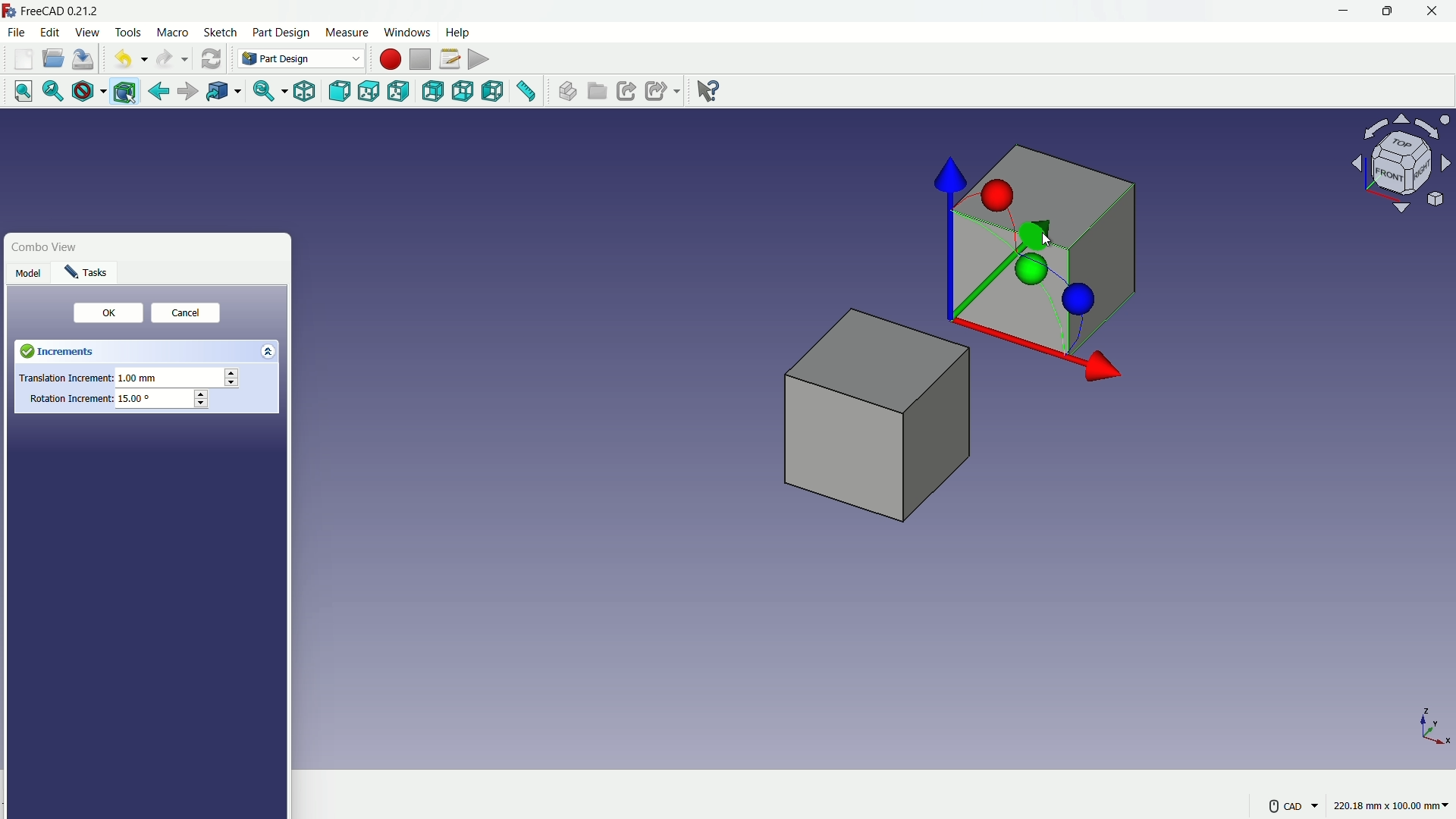 The height and width of the screenshot is (819, 1456). I want to click on 220.18 mm x 100.00 mm~, so click(1391, 805).